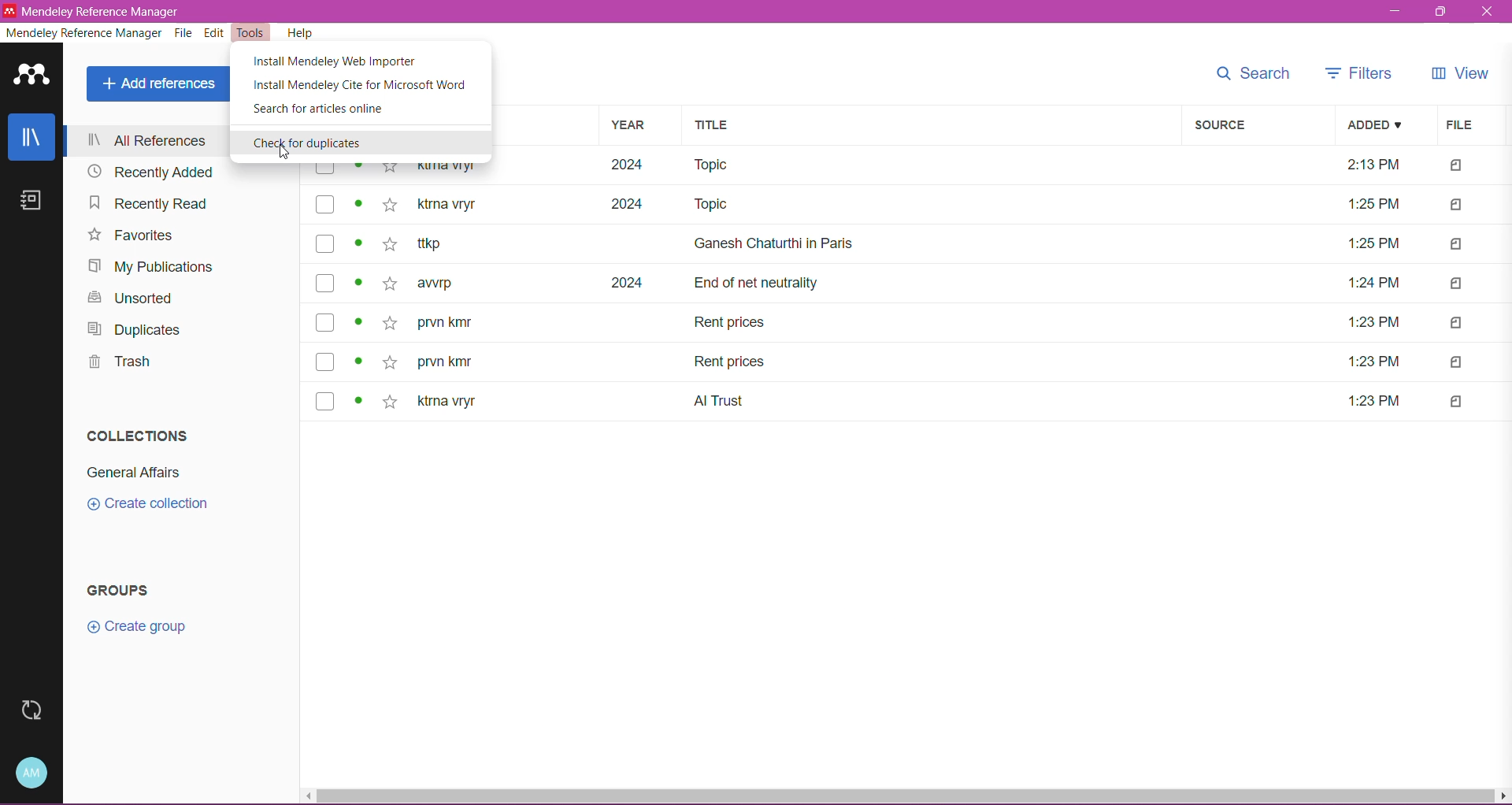  Describe the element at coordinates (343, 63) in the screenshot. I see `Install Mendeley Web Importer` at that location.